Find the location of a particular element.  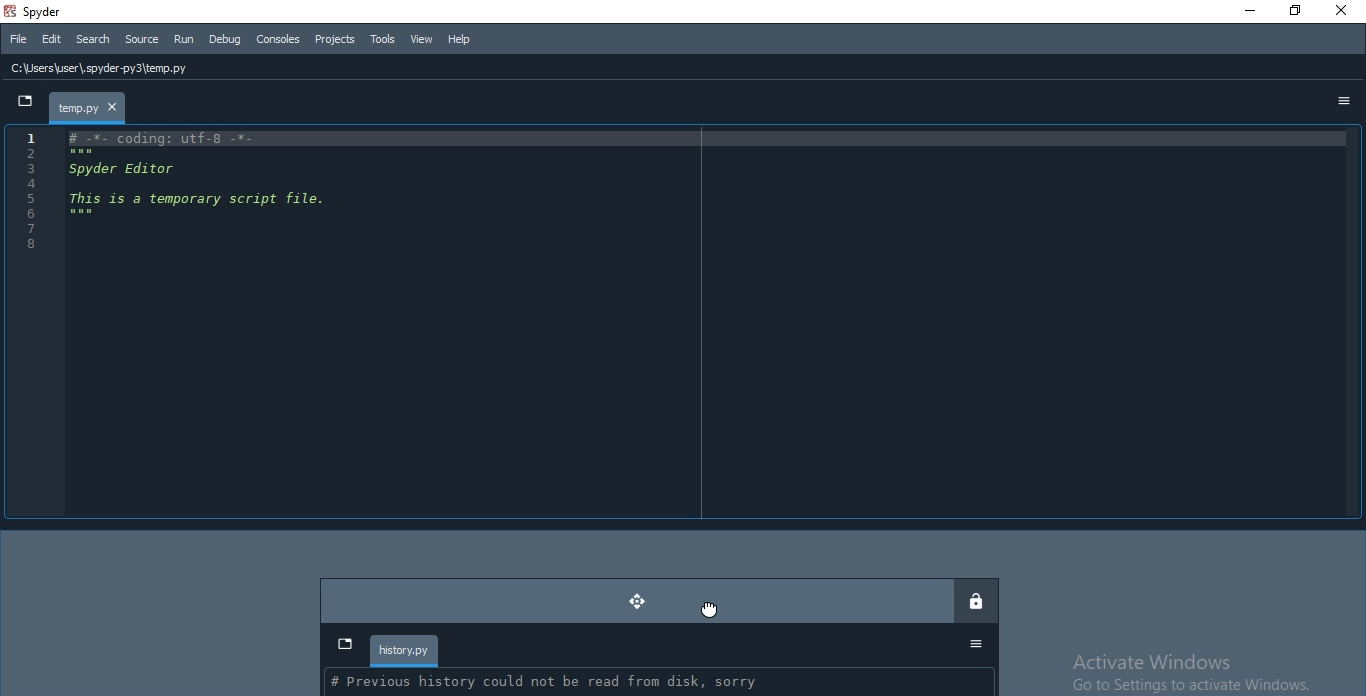

file tab is located at coordinates (86, 106).